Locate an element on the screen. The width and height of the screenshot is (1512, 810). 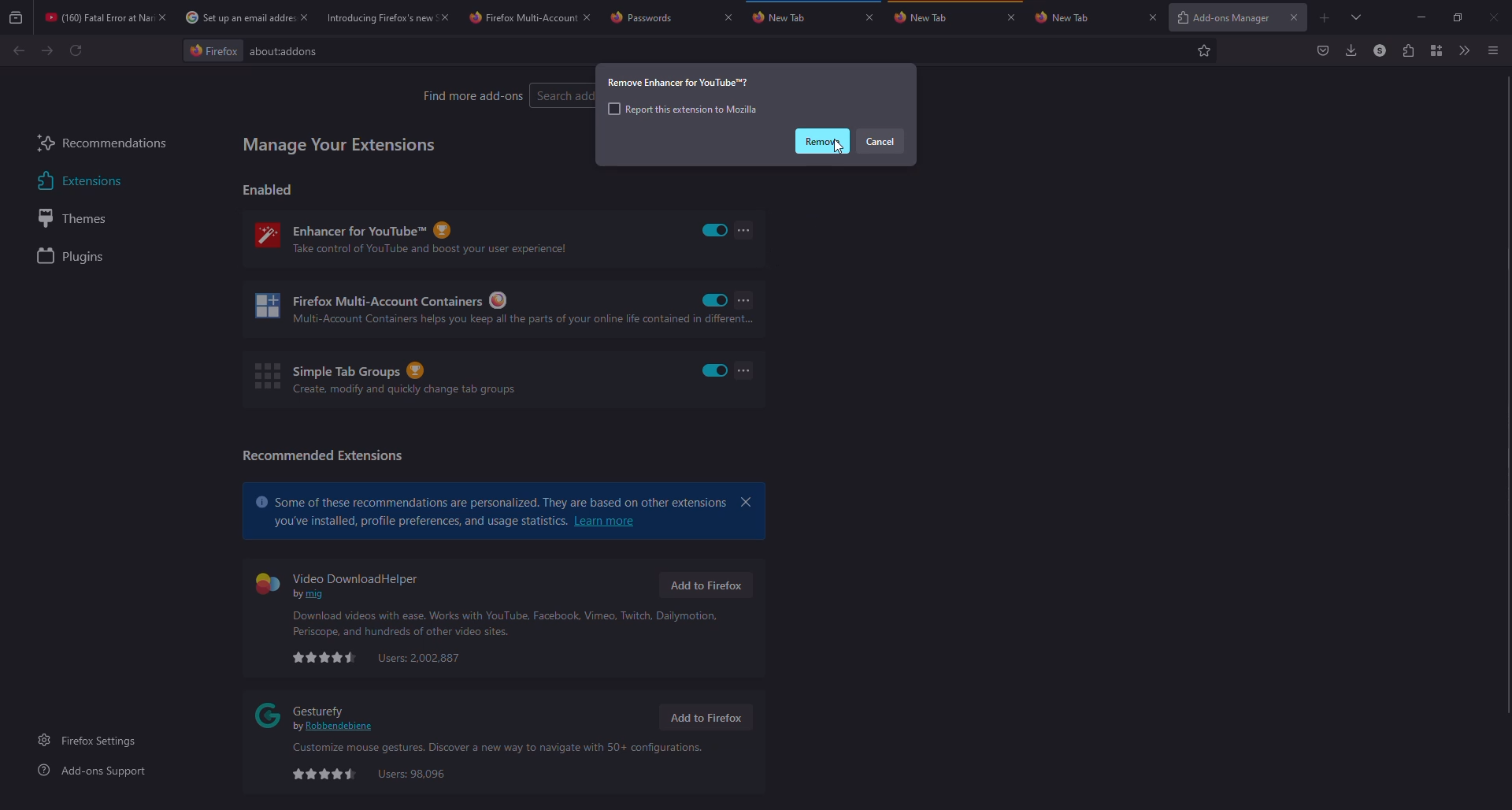
close is located at coordinates (747, 502).